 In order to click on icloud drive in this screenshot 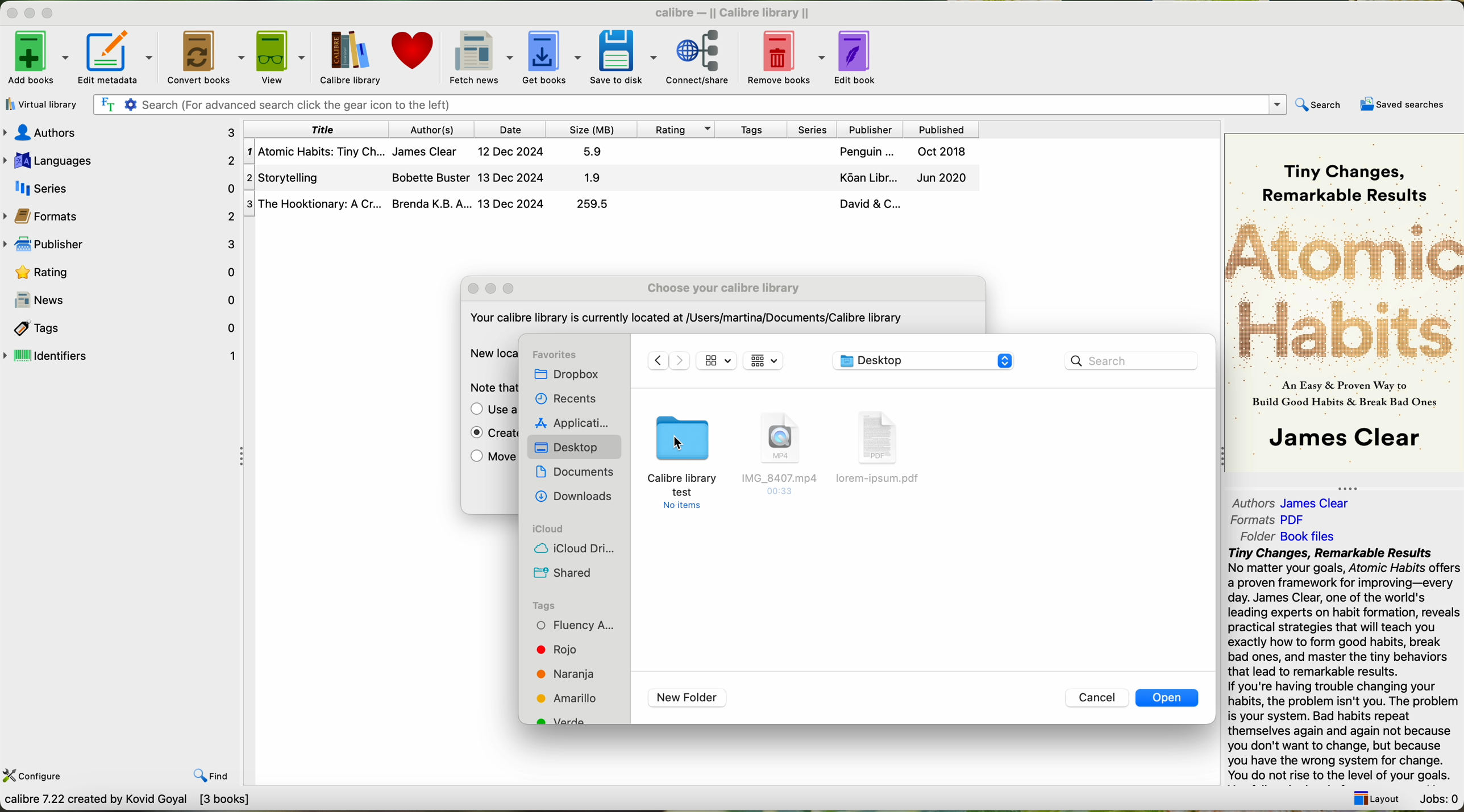, I will do `click(575, 549)`.